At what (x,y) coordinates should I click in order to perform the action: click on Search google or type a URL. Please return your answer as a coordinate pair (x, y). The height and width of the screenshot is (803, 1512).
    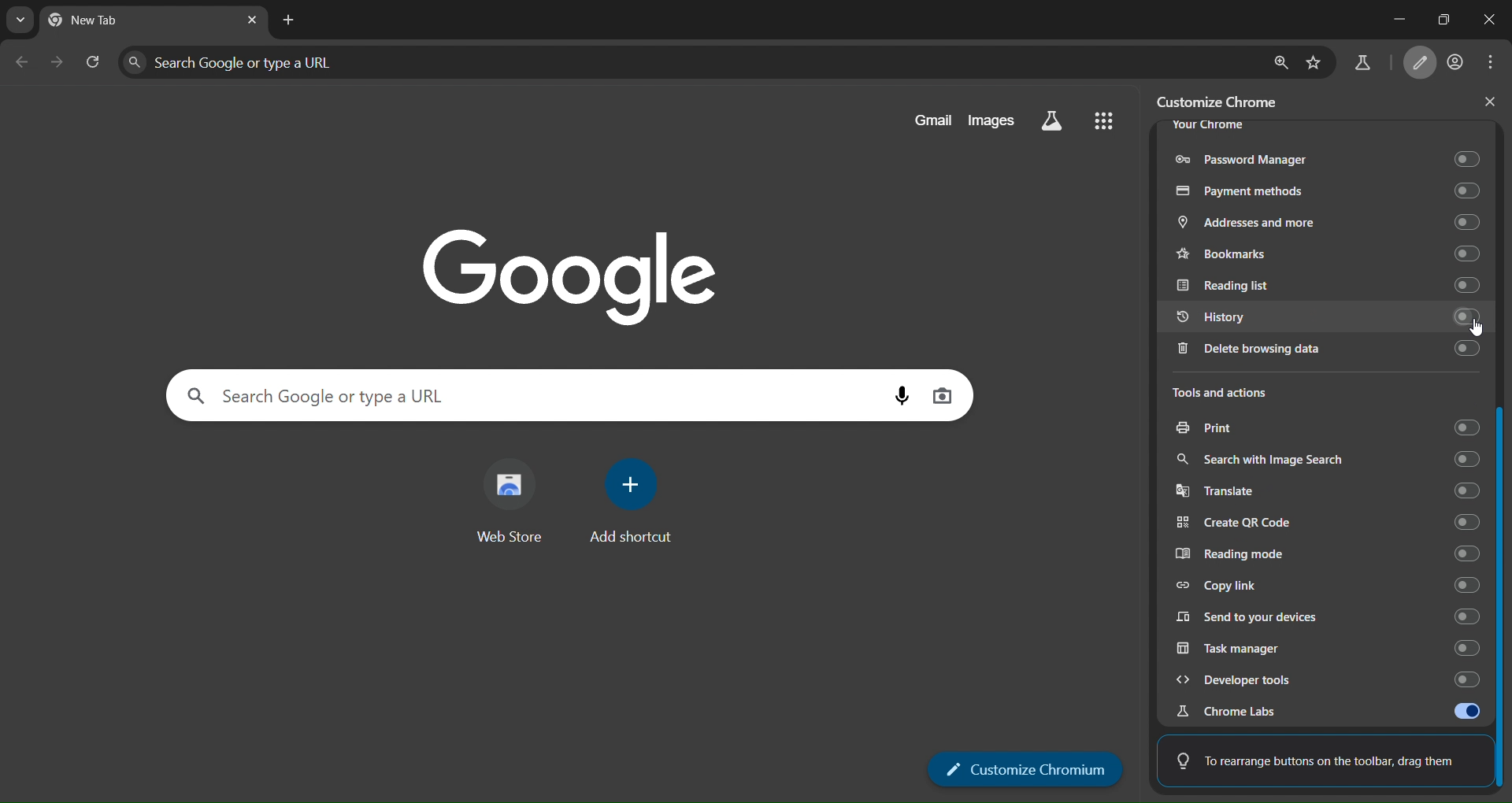
    Looking at the image, I should click on (688, 61).